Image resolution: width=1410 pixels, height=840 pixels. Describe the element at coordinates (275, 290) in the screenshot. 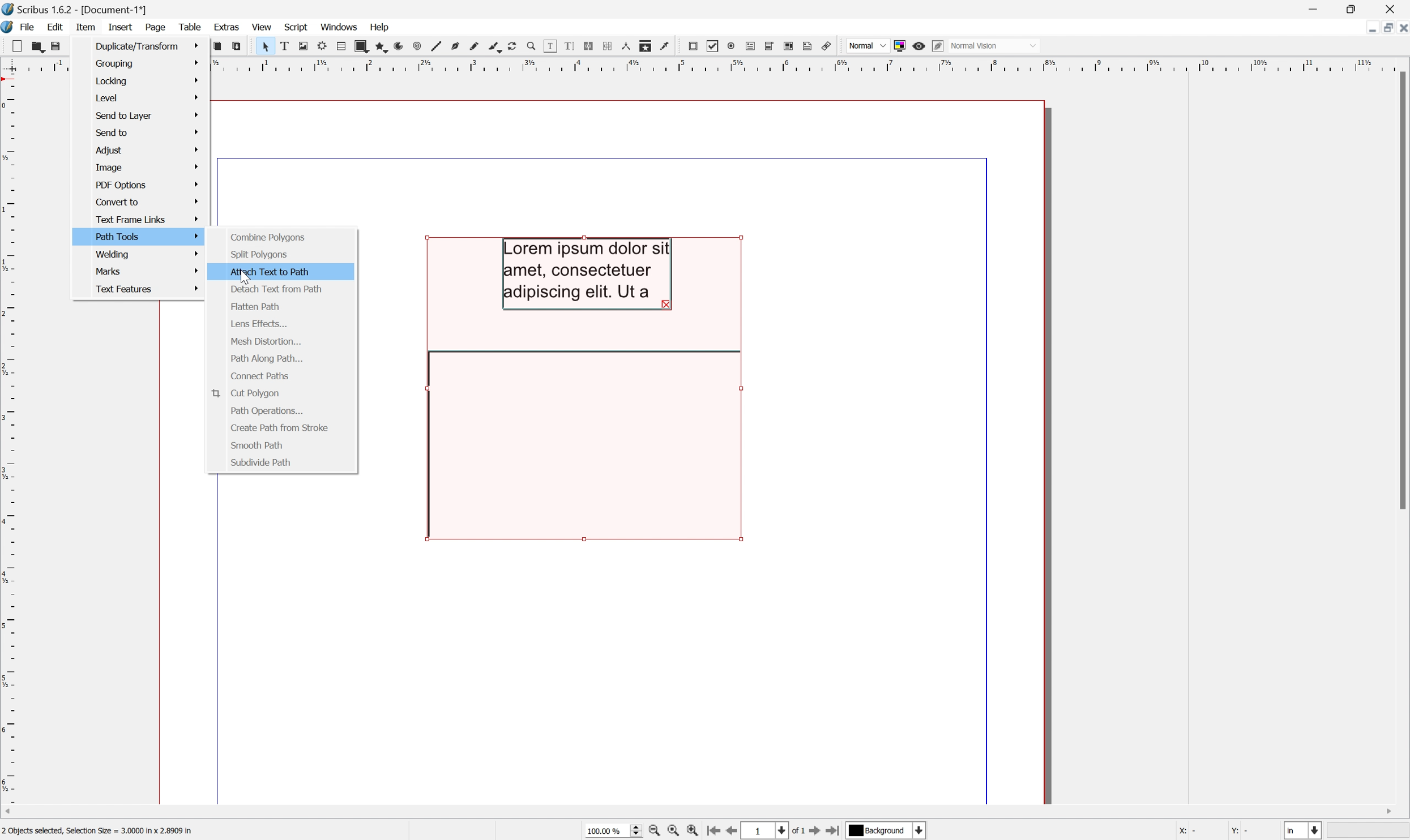

I see `Detach text from path` at that location.